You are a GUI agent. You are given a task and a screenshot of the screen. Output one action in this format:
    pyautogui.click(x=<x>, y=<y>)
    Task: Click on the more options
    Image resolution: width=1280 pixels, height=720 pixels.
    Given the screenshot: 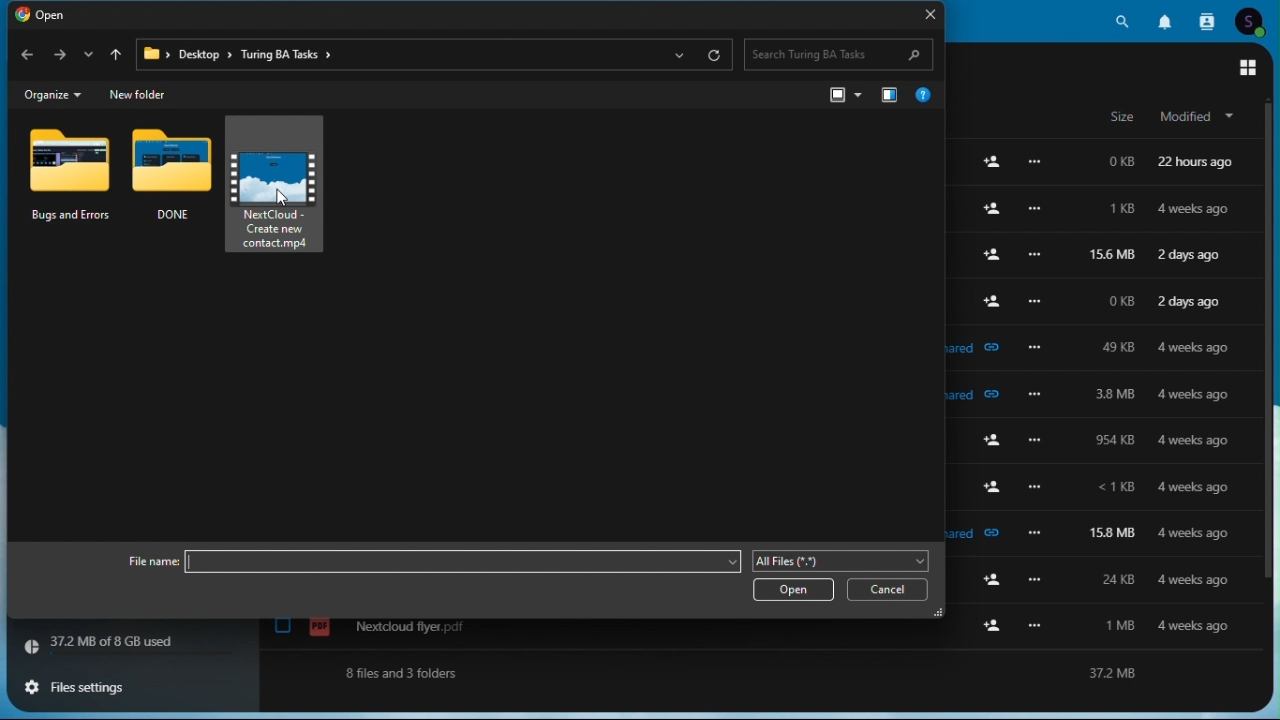 What is the action you would take?
    pyautogui.click(x=1036, y=439)
    